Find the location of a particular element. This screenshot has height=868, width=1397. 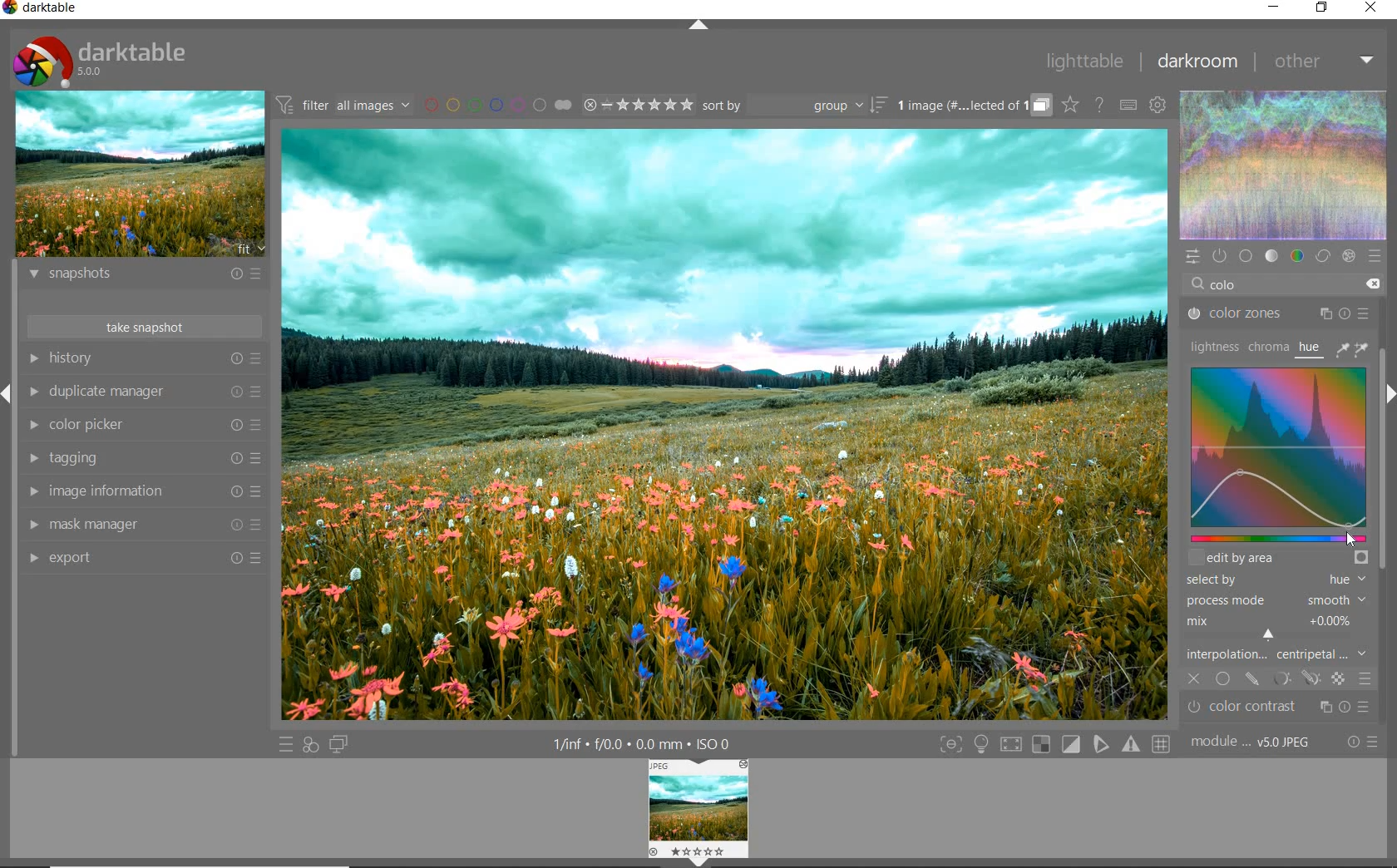

minimize is located at coordinates (1276, 8).